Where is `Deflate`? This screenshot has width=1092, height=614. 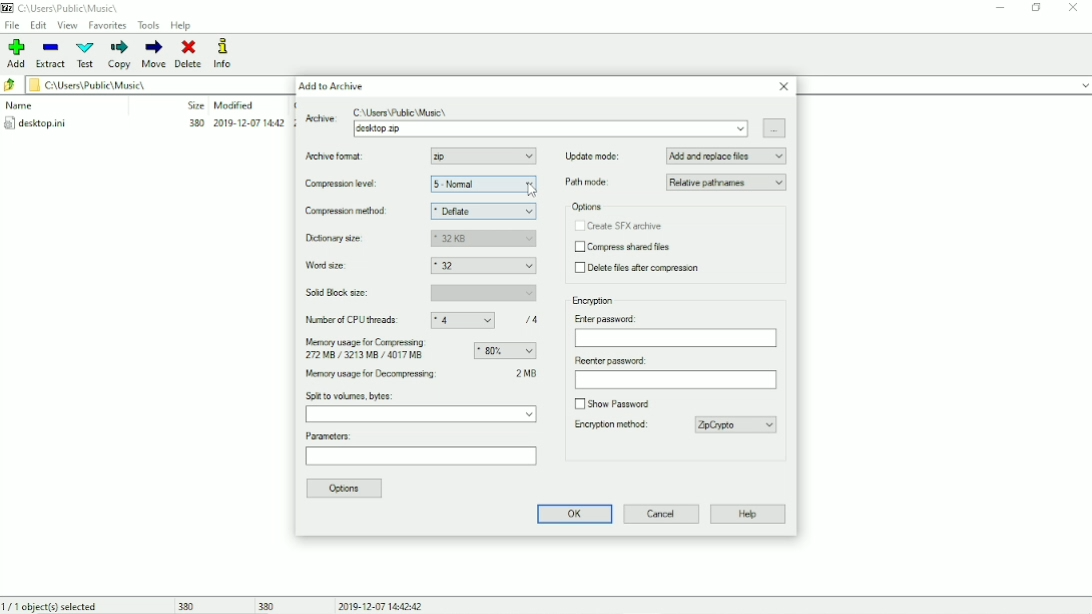
Deflate is located at coordinates (484, 212).